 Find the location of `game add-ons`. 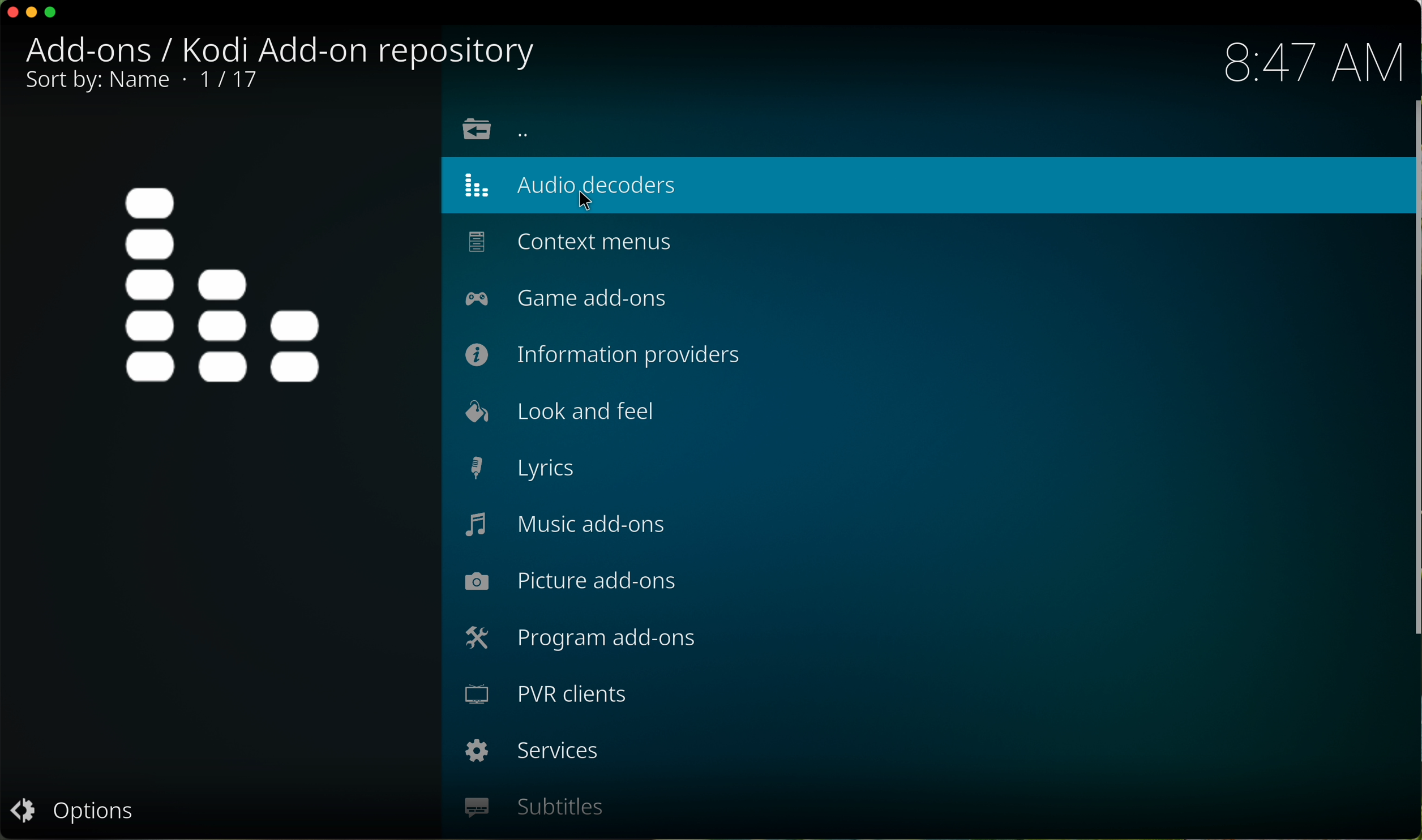

game add-ons is located at coordinates (574, 298).